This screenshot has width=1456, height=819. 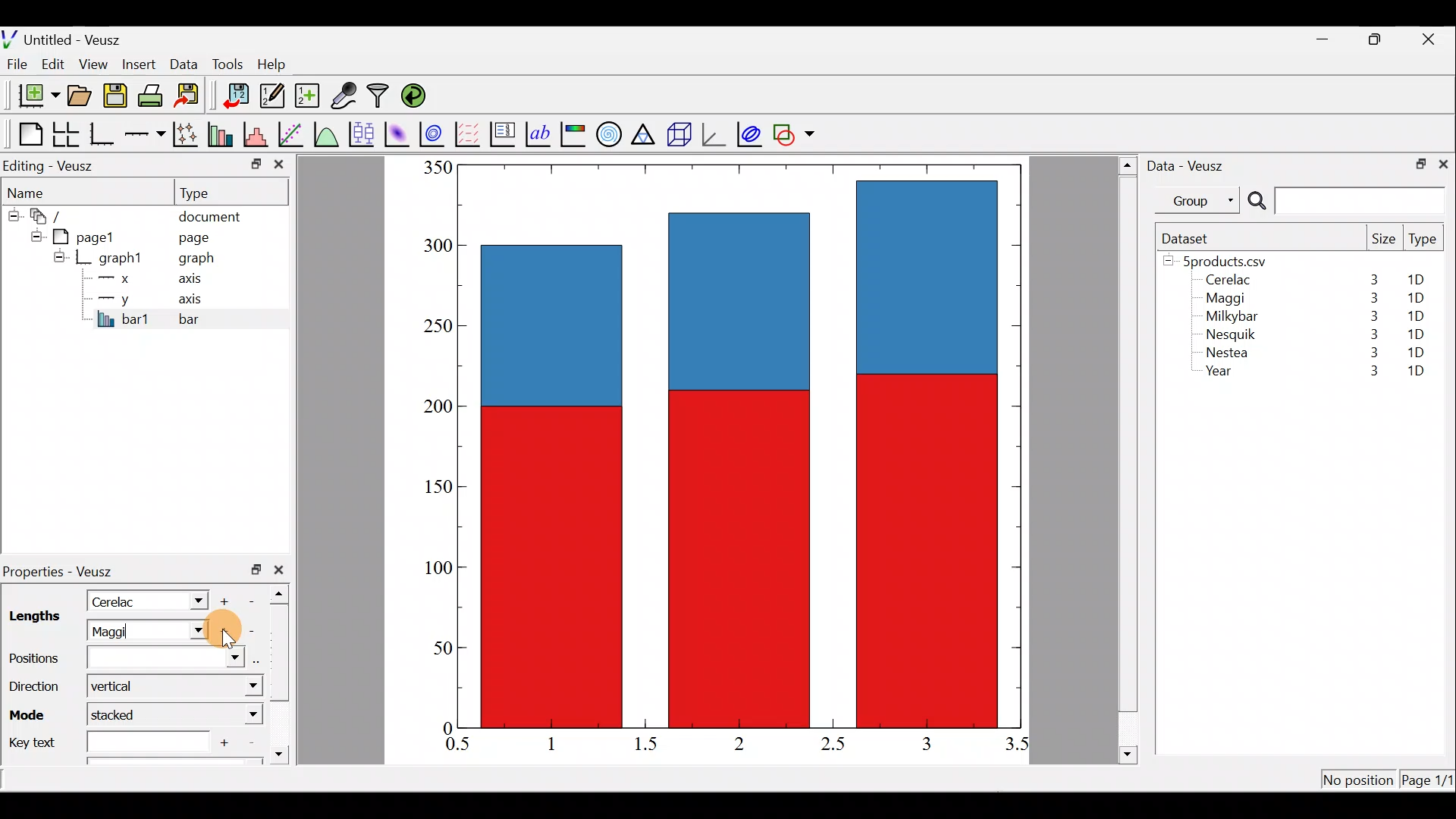 I want to click on Export to graphics format, so click(x=192, y=96).